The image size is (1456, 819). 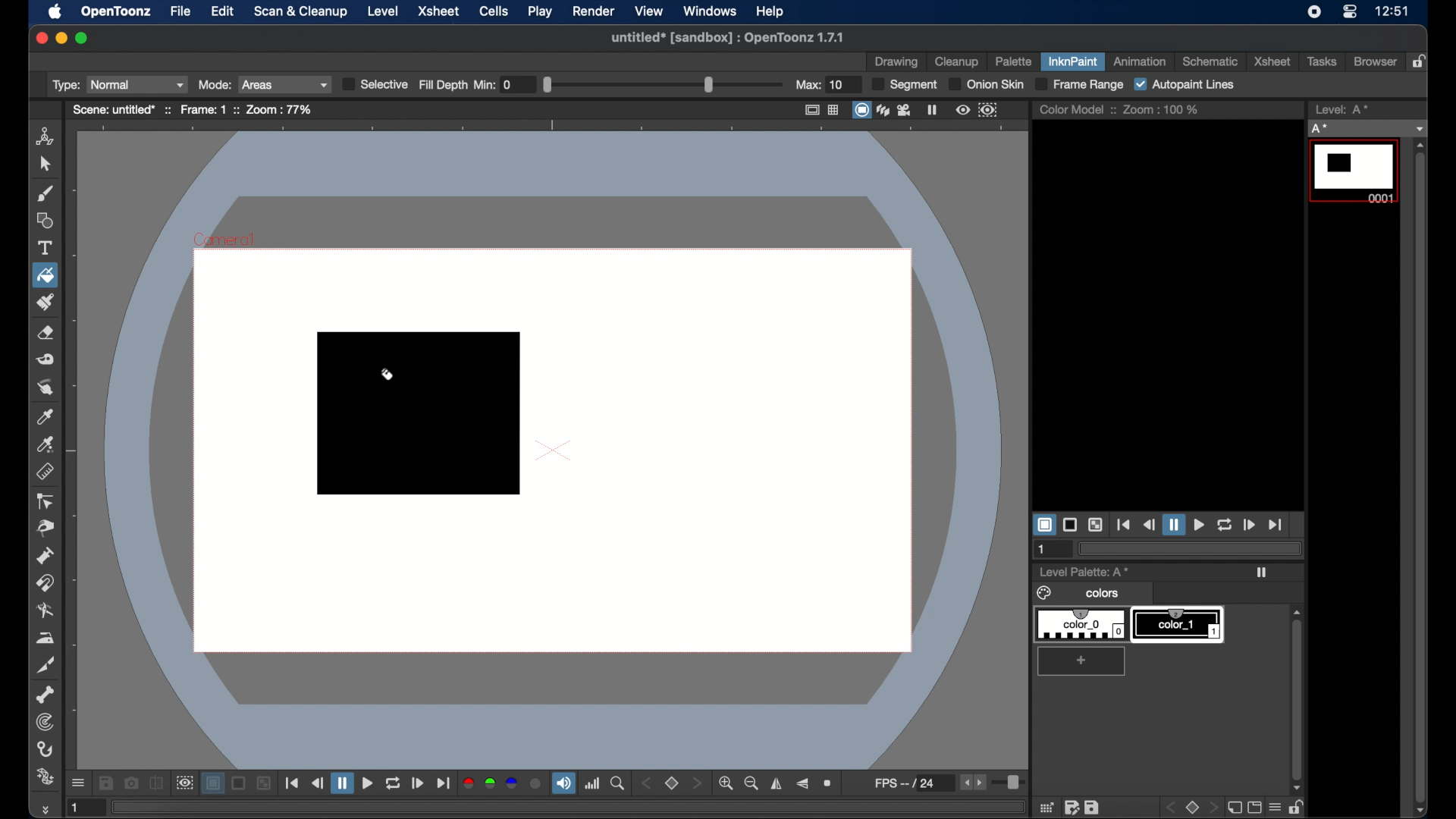 What do you see at coordinates (963, 110) in the screenshot?
I see `preview` at bounding box center [963, 110].